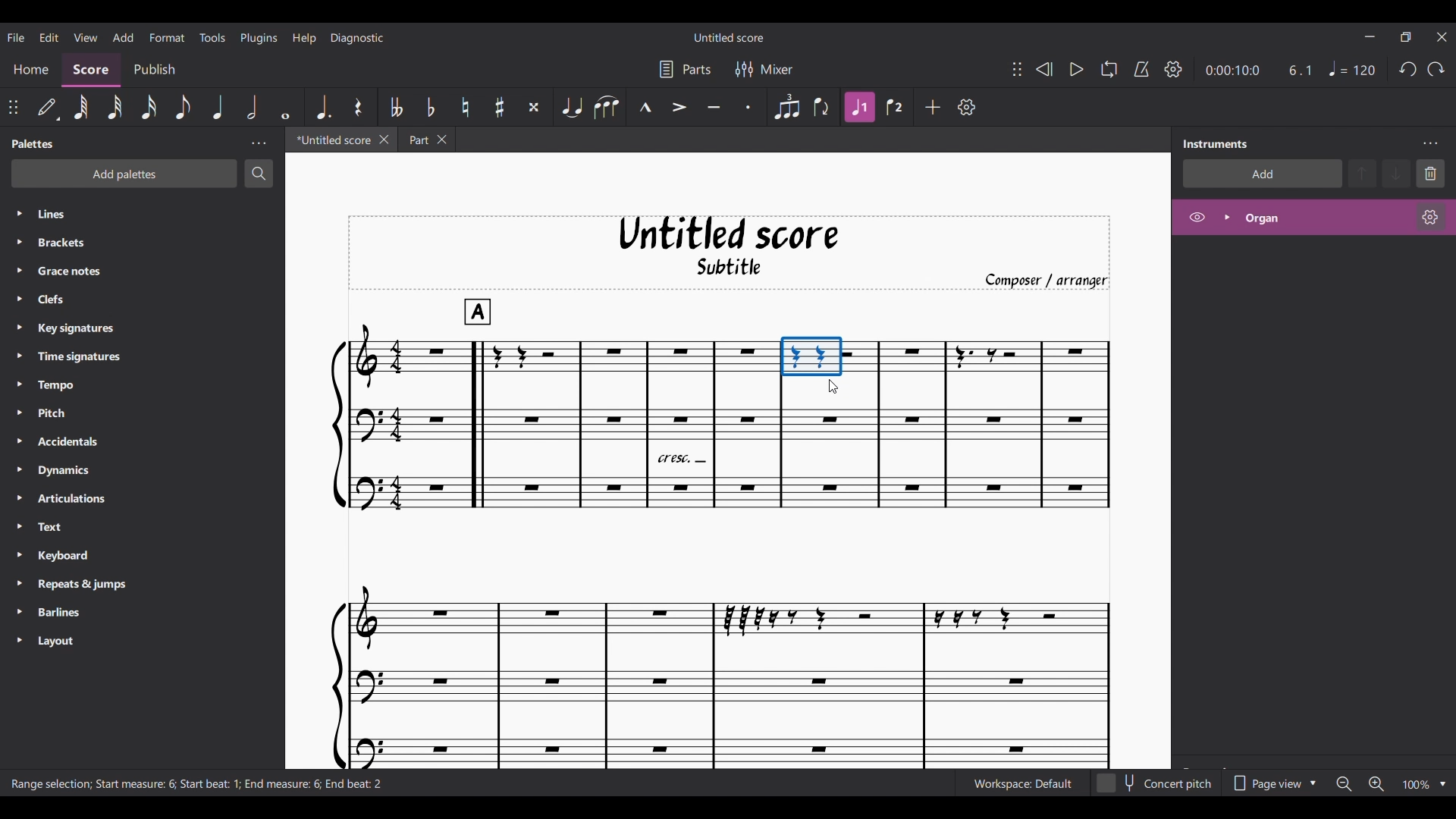 This screenshot has height=819, width=1456. I want to click on Cursor position unchanged, so click(833, 386).